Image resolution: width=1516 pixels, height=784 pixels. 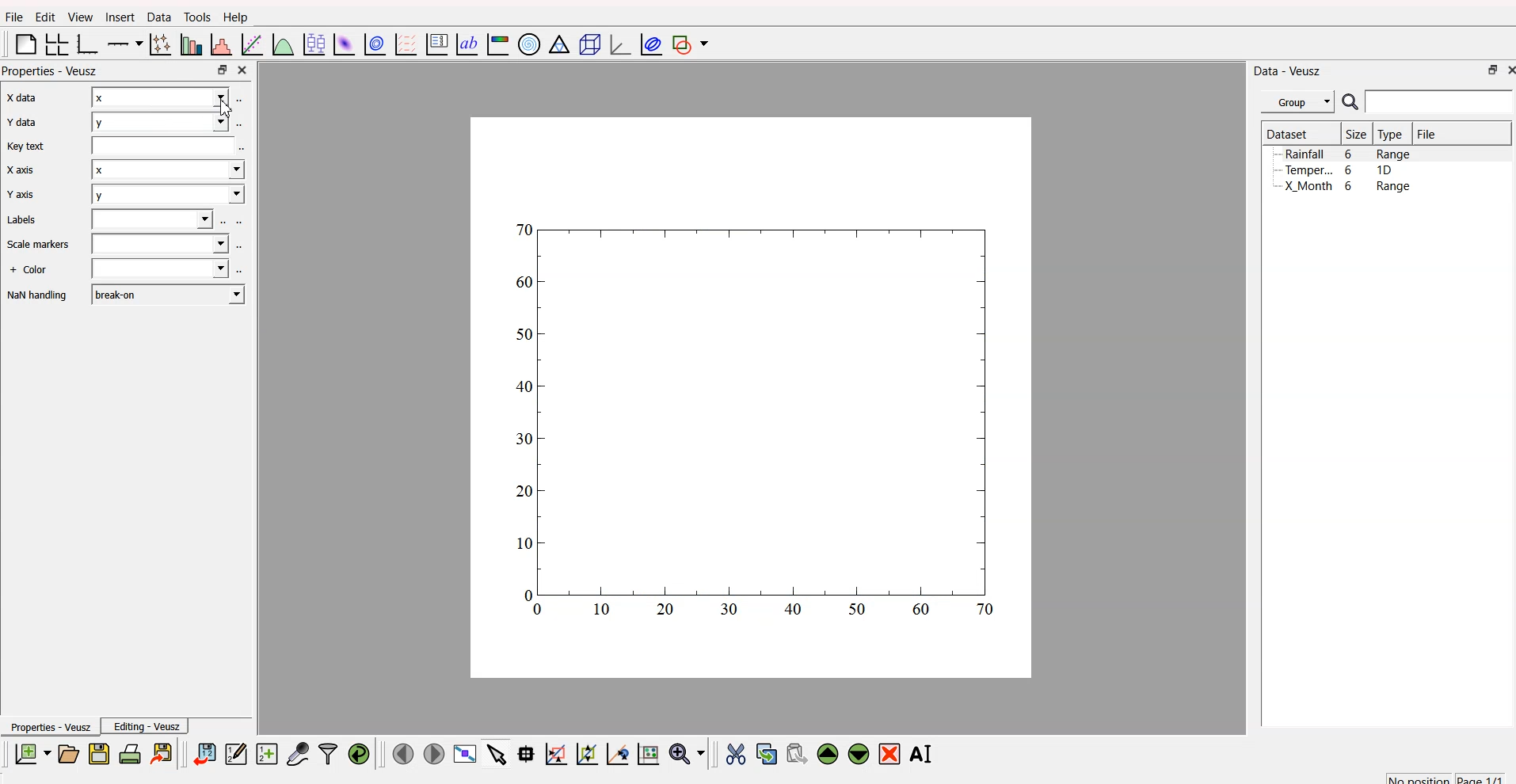 What do you see at coordinates (49, 726) in the screenshot?
I see `Properties - Veusz` at bounding box center [49, 726].